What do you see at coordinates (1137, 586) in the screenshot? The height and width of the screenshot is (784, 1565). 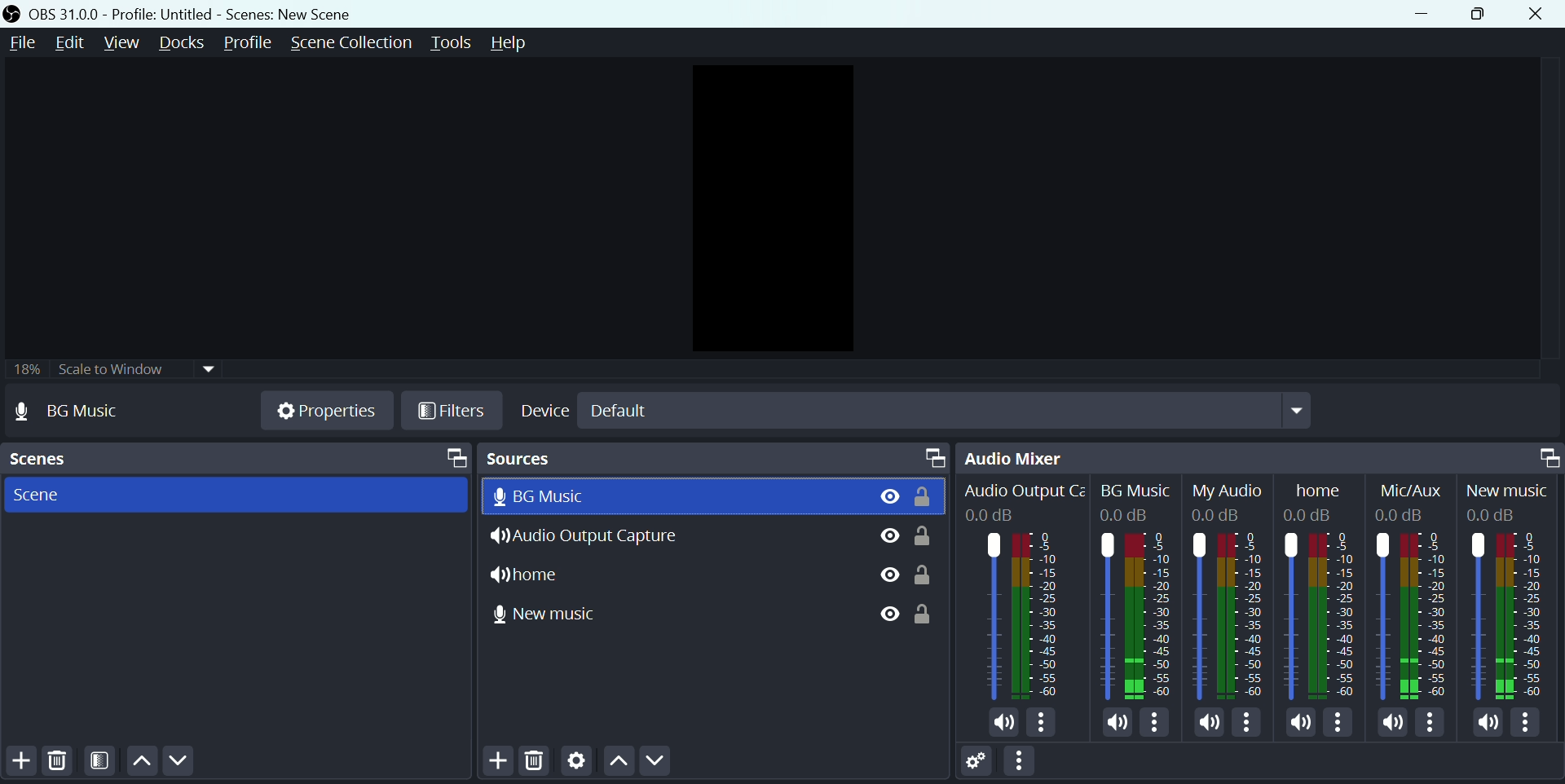 I see `BG Music` at bounding box center [1137, 586].